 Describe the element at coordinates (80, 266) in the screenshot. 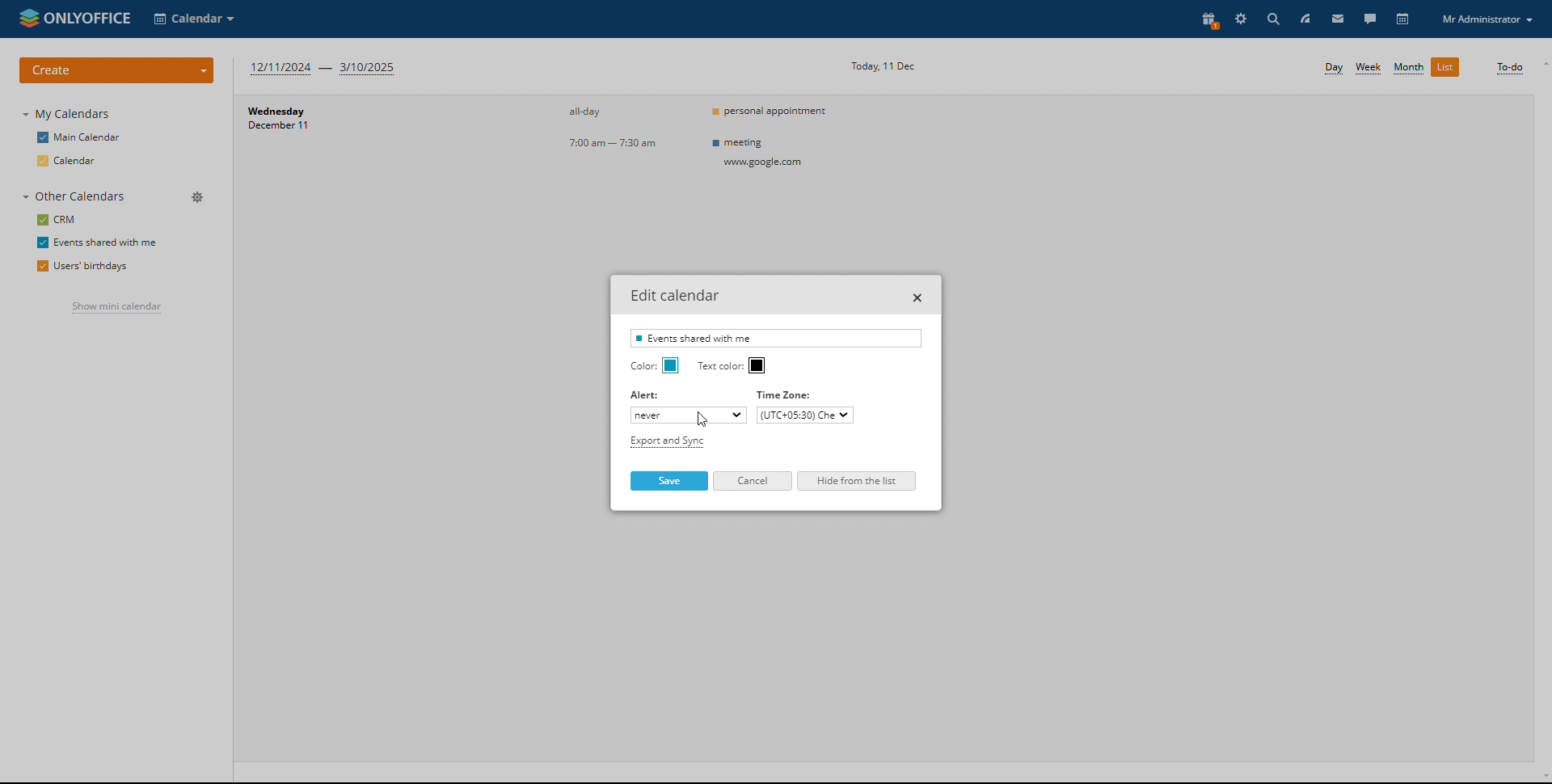

I see `users' birthdays` at that location.